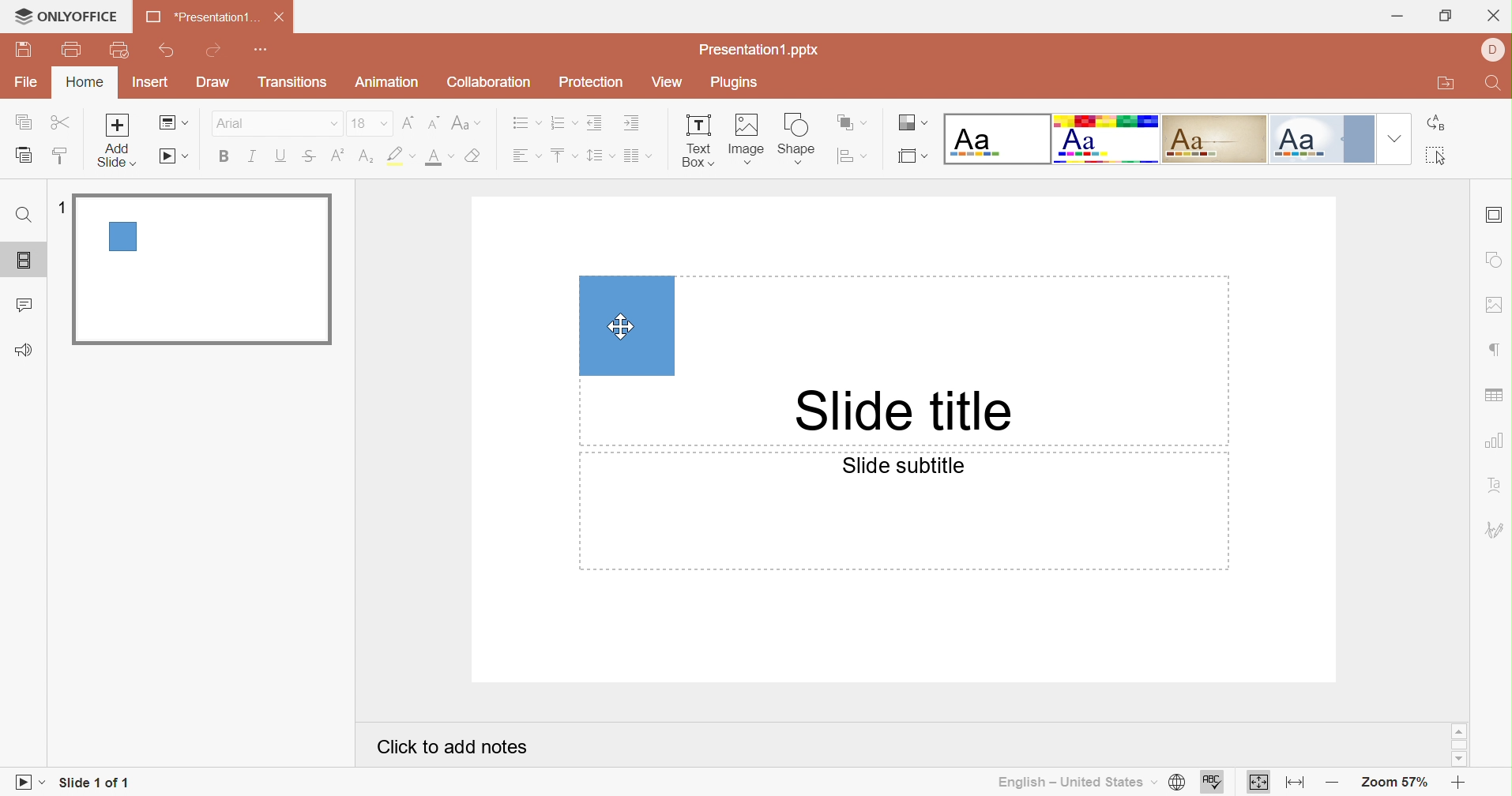 This screenshot has height=796, width=1512. I want to click on Redo, so click(215, 52).